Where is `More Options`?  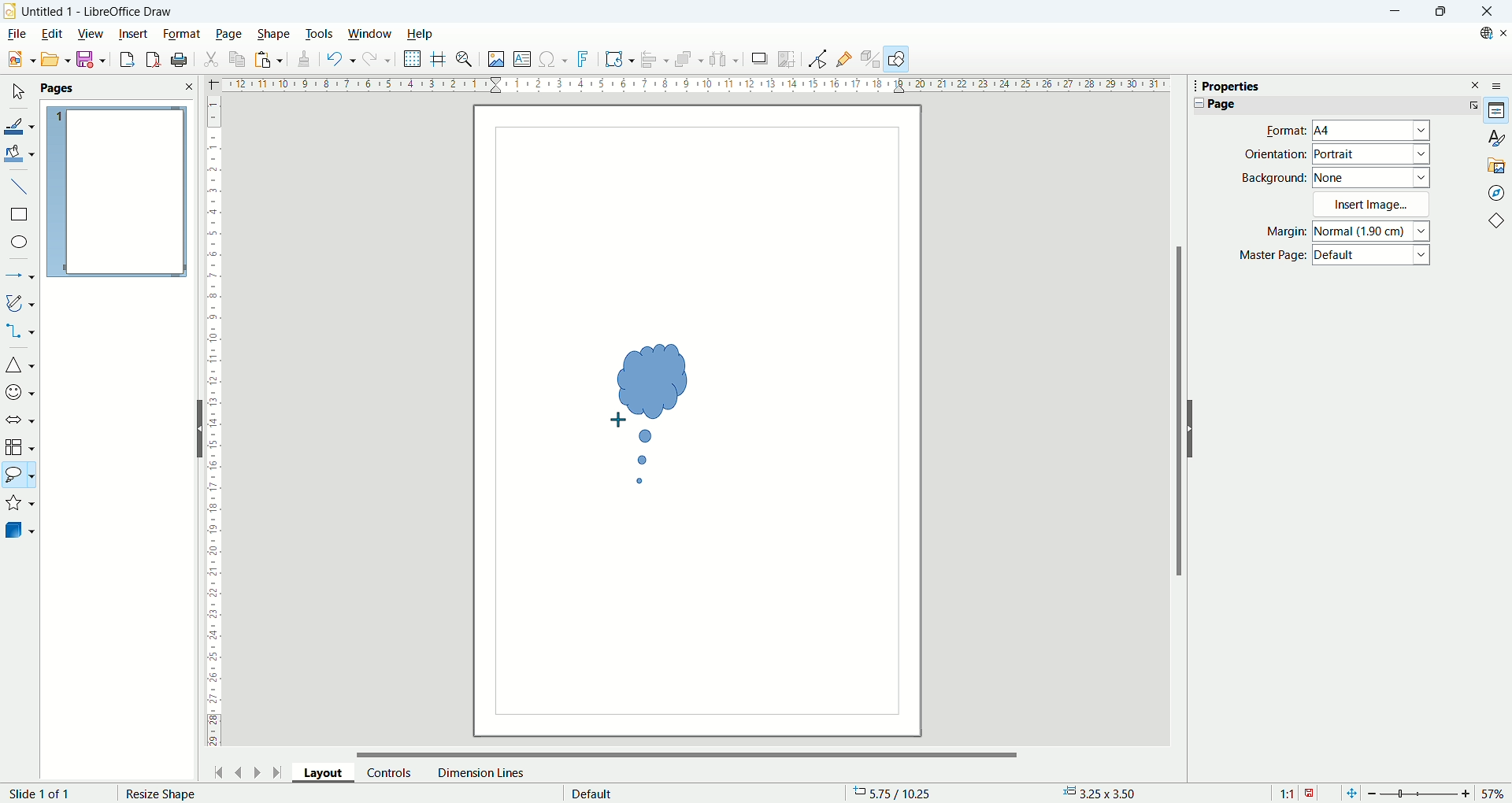
More Options is located at coordinates (1470, 105).